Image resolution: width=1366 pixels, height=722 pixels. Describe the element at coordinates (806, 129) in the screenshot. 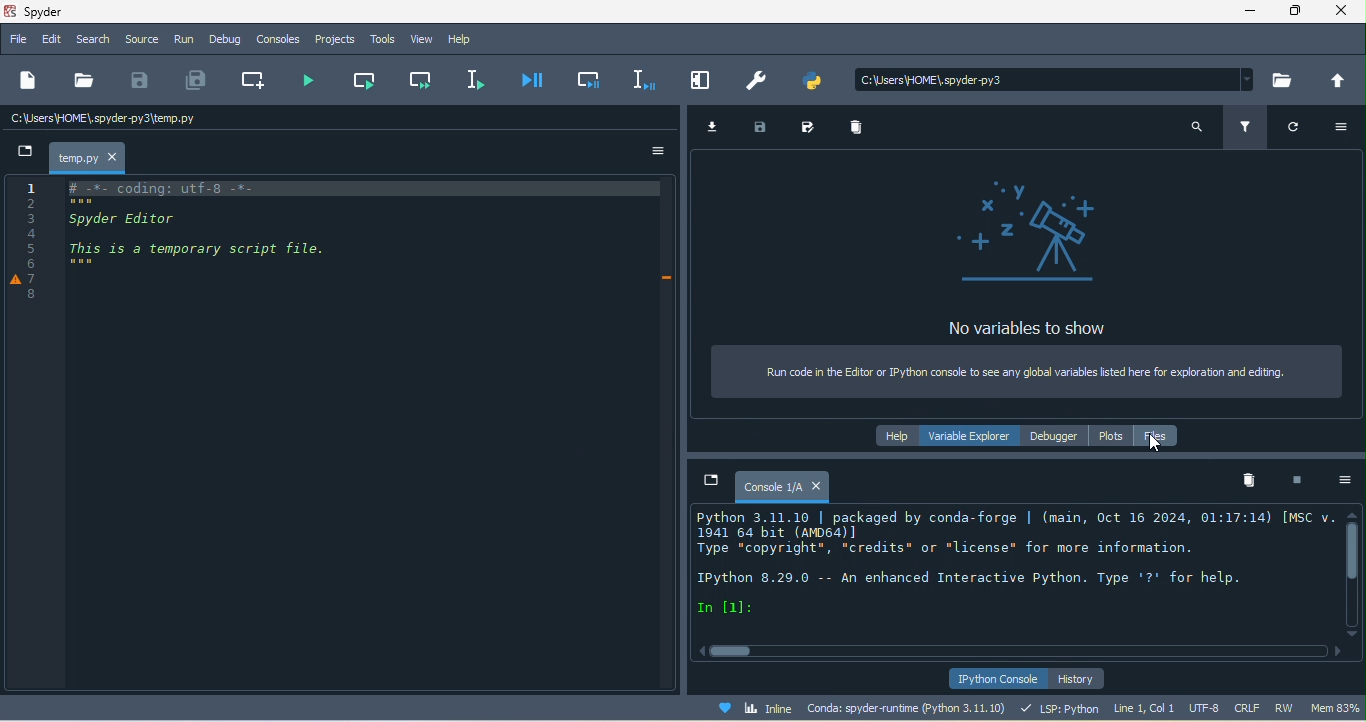

I see `save as` at that location.